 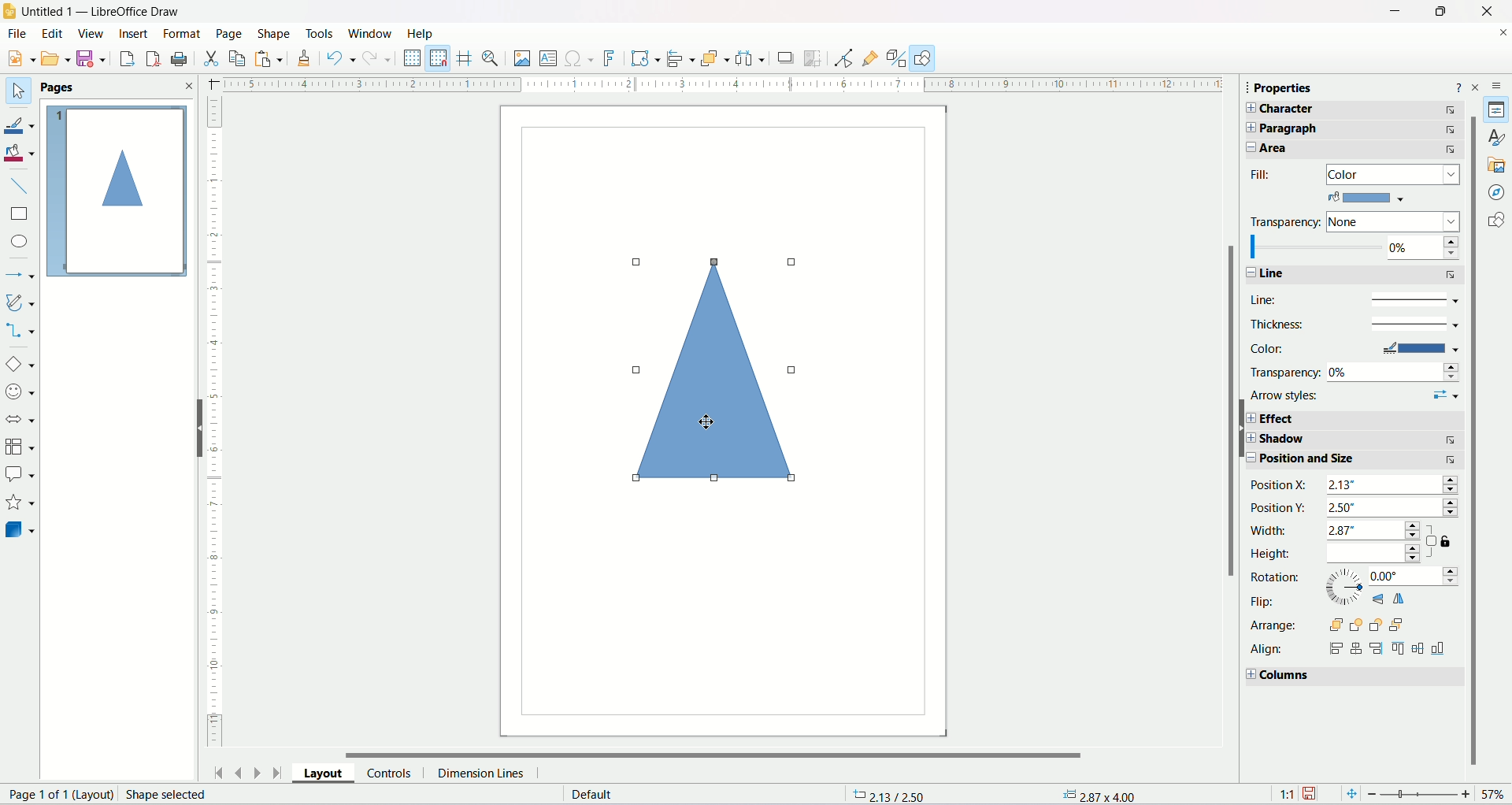 What do you see at coordinates (1499, 83) in the screenshot?
I see `Sidebar settings` at bounding box center [1499, 83].